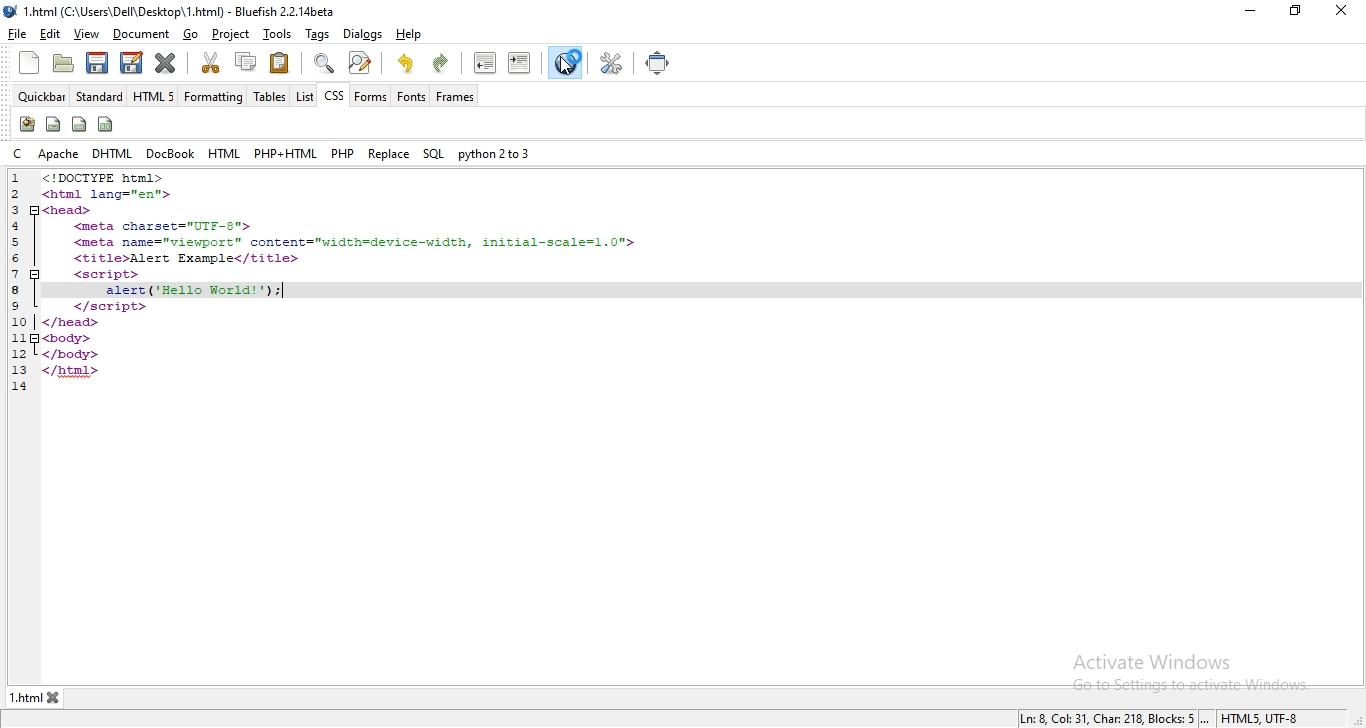 This screenshot has width=1366, height=728. What do you see at coordinates (108, 306) in the screenshot?
I see `</script>` at bounding box center [108, 306].